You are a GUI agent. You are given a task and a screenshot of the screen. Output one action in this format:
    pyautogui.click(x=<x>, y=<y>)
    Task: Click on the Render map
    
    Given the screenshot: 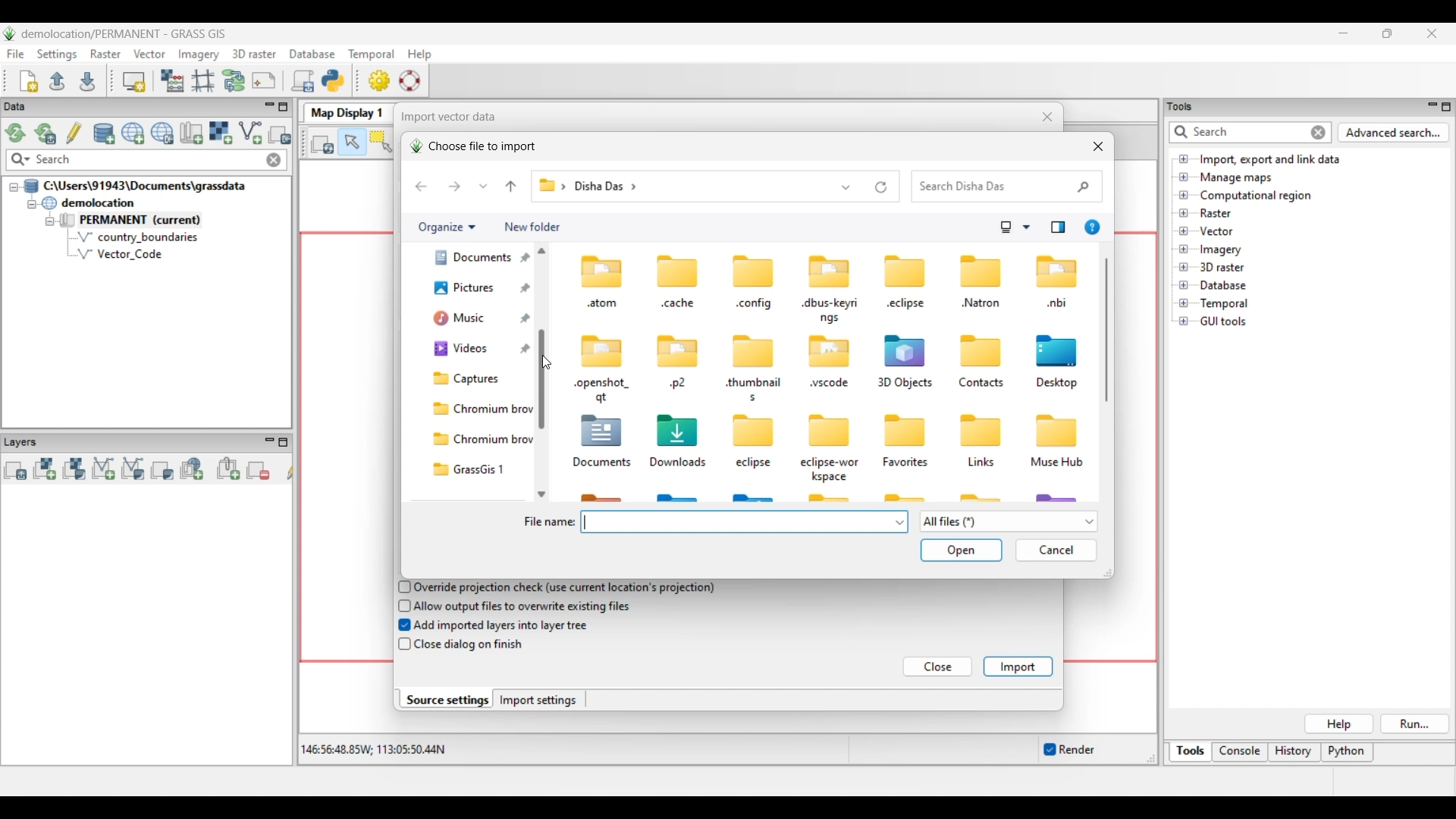 What is the action you would take?
    pyautogui.click(x=323, y=143)
    